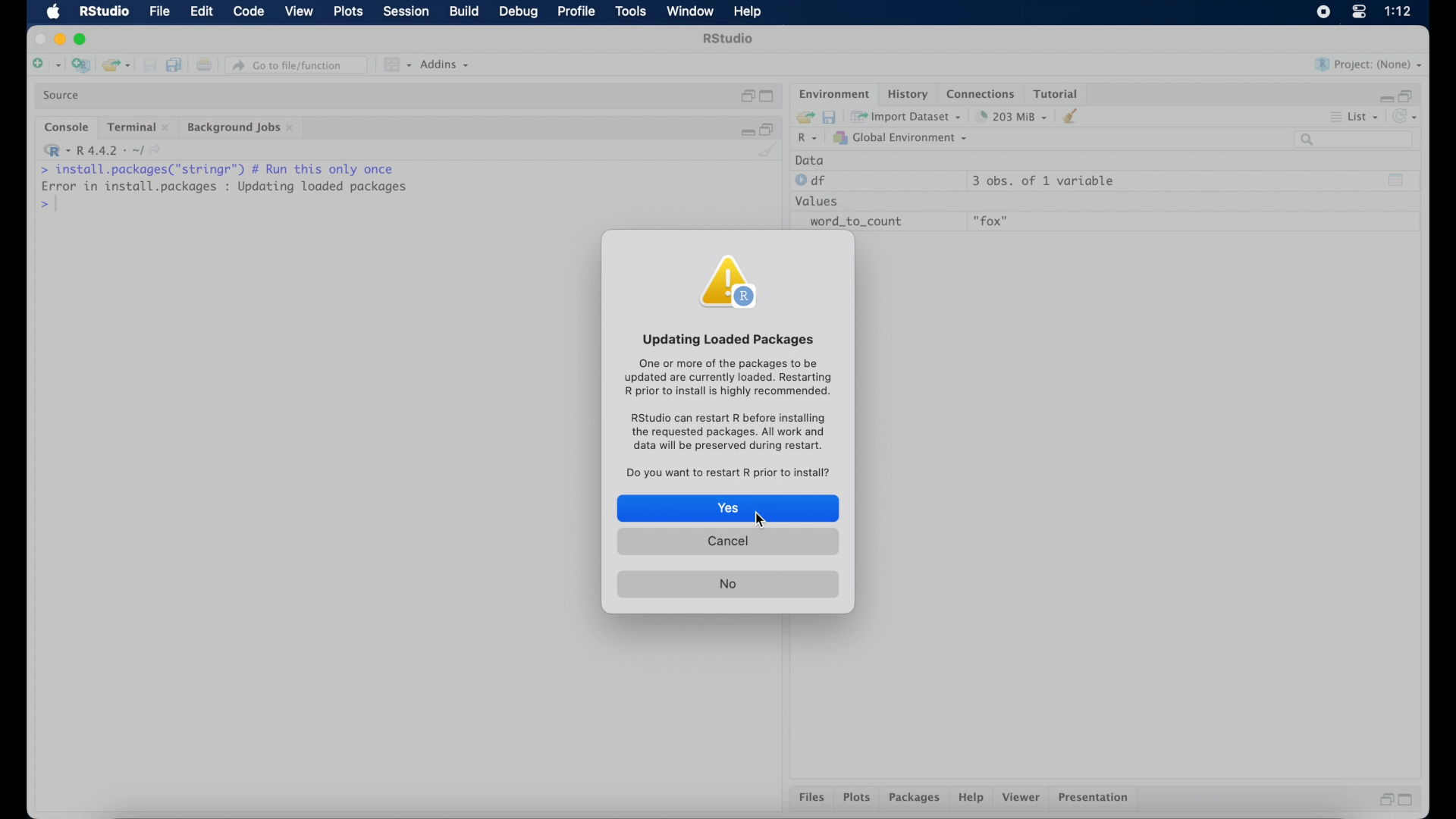 This screenshot has height=819, width=1456. Describe the element at coordinates (103, 12) in the screenshot. I see `R Studio` at that location.